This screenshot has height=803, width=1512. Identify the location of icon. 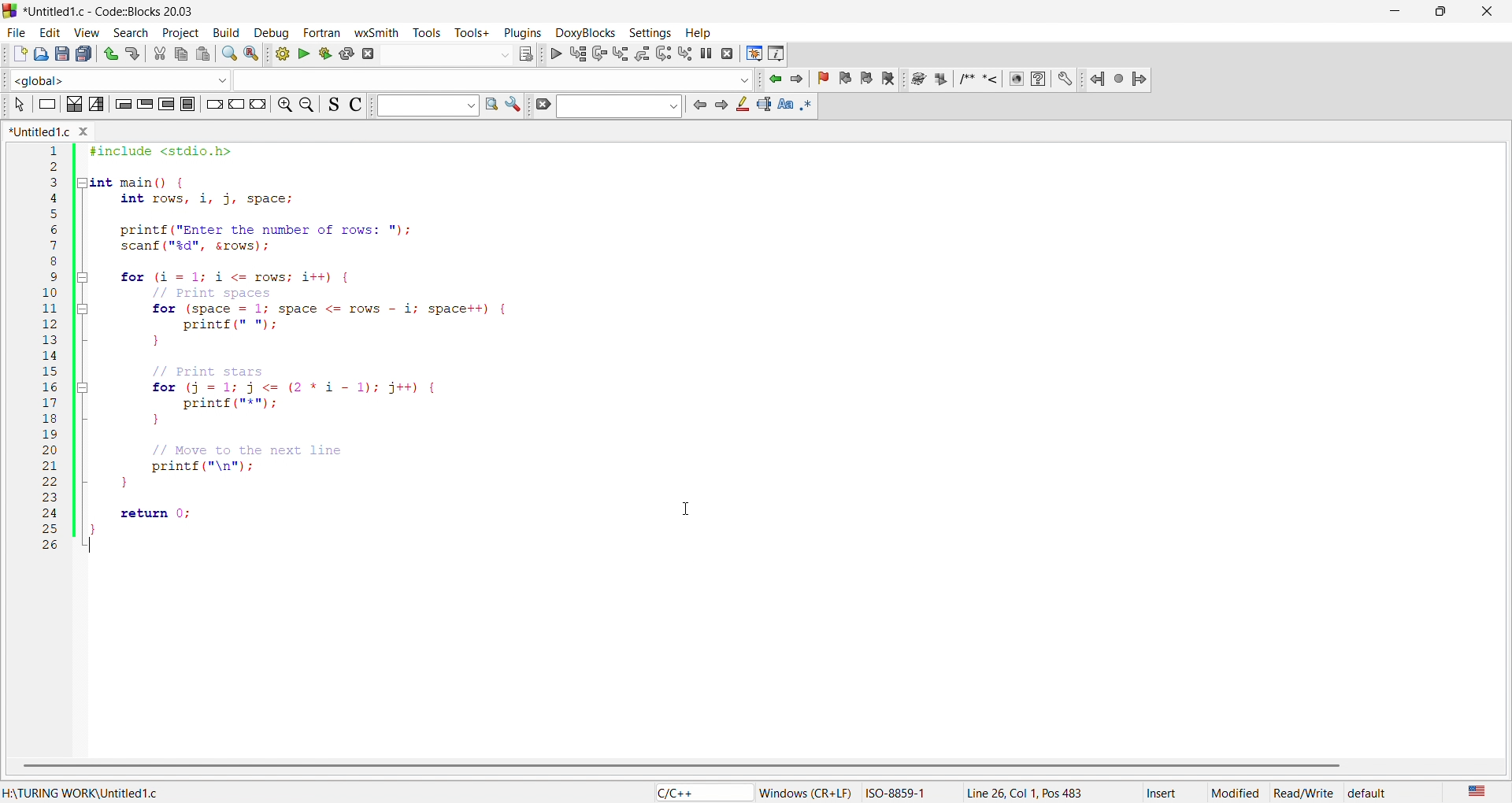
(258, 105).